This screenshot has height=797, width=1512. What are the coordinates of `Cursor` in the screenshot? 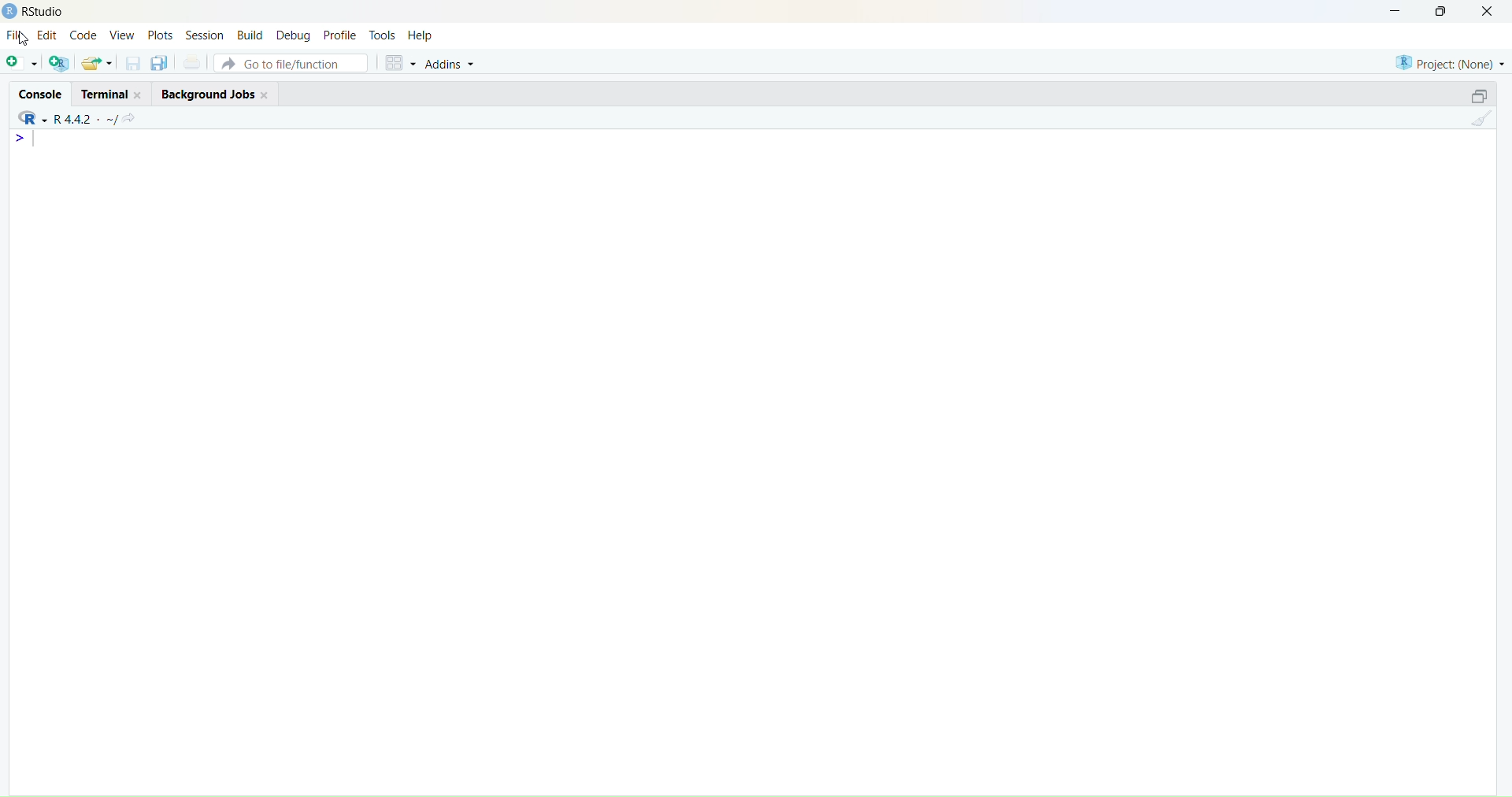 It's located at (27, 46).